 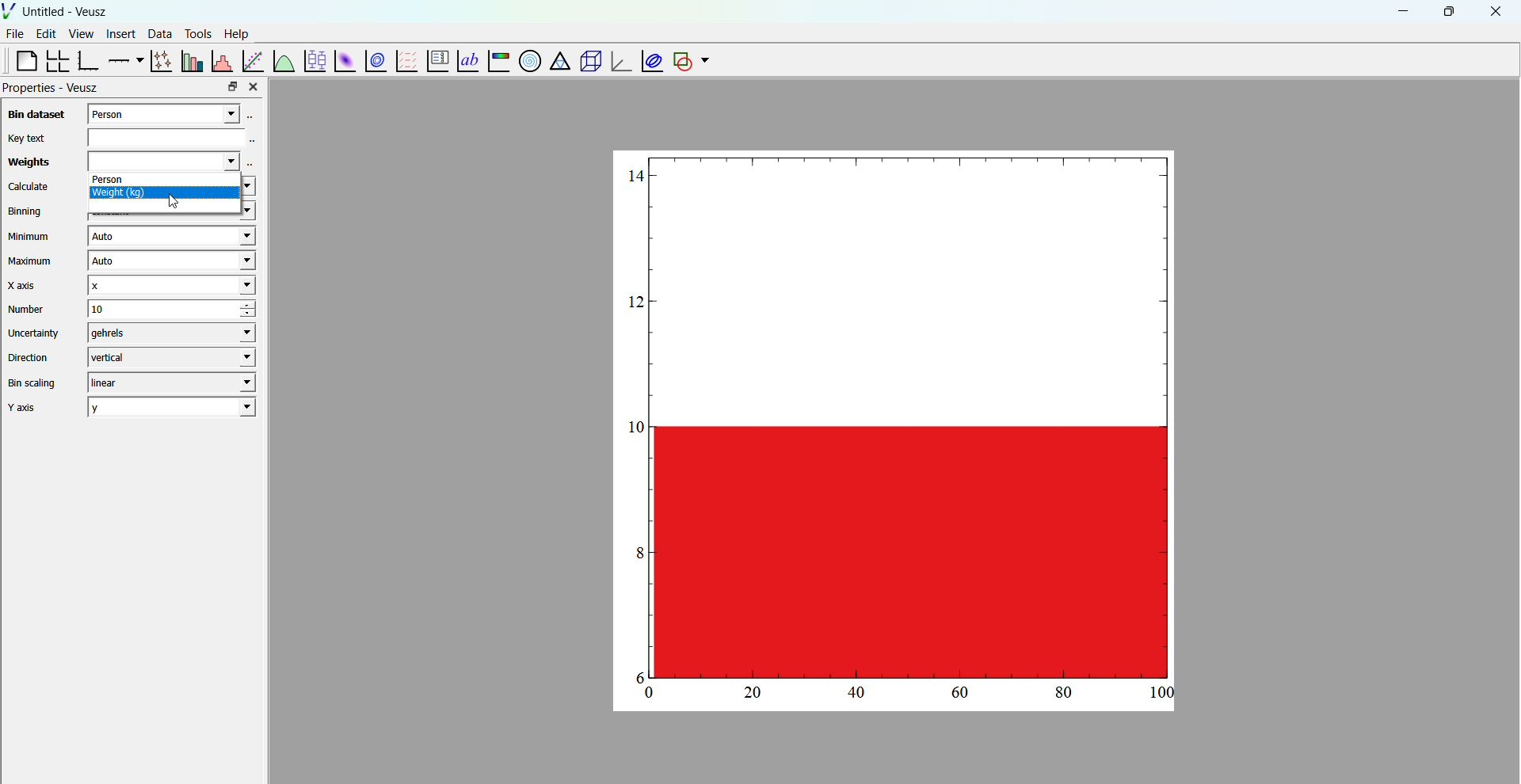 I want to click on Minimum, so click(x=29, y=237).